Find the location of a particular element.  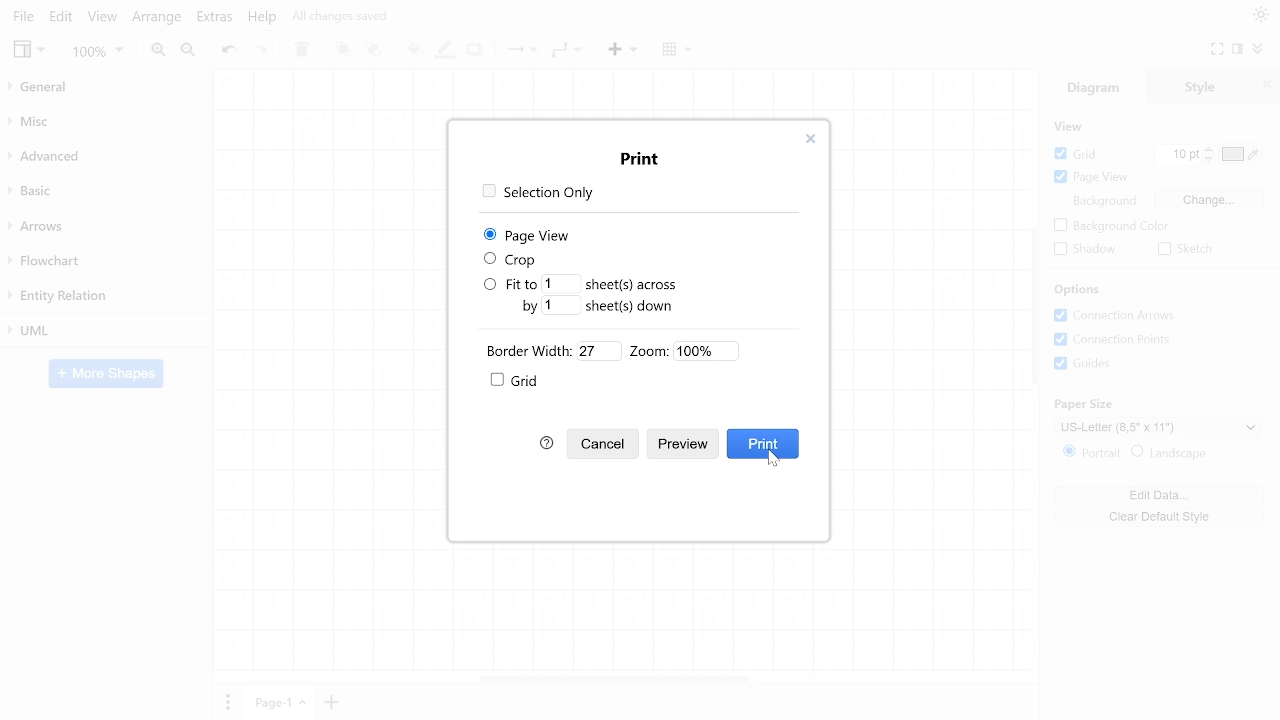

Change background is located at coordinates (1208, 200).